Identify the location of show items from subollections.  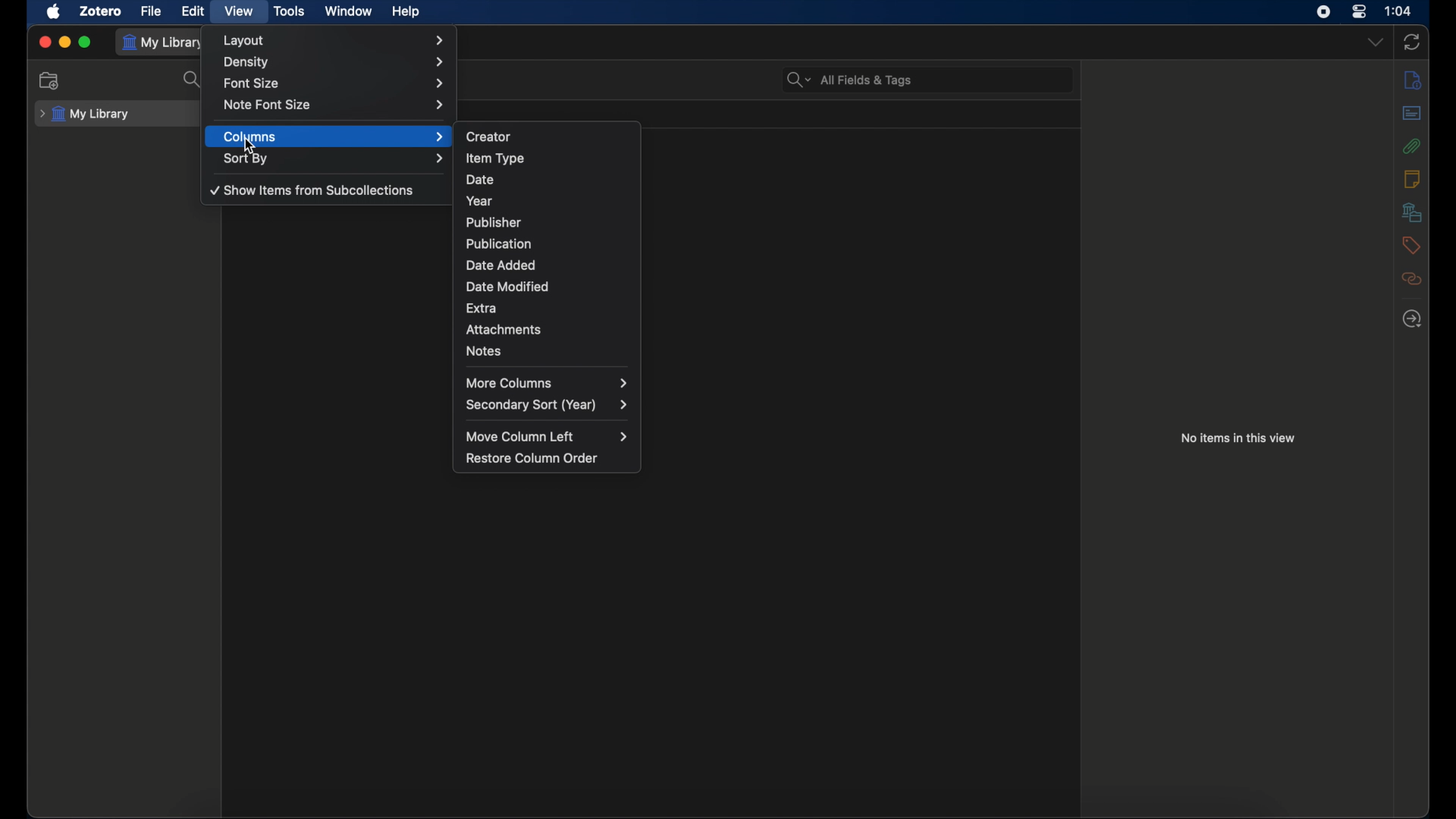
(313, 190).